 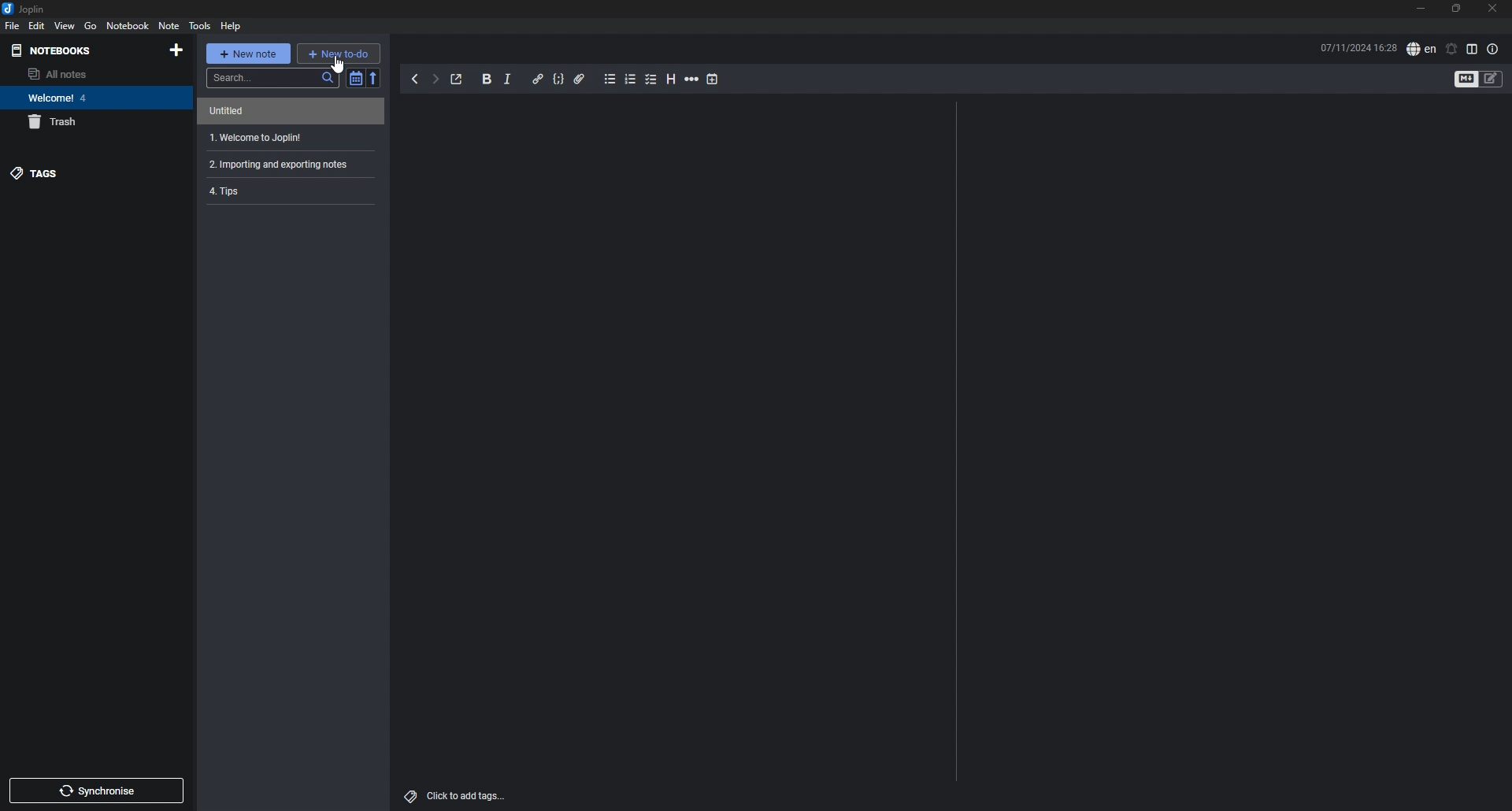 What do you see at coordinates (508, 80) in the screenshot?
I see `italic` at bounding box center [508, 80].